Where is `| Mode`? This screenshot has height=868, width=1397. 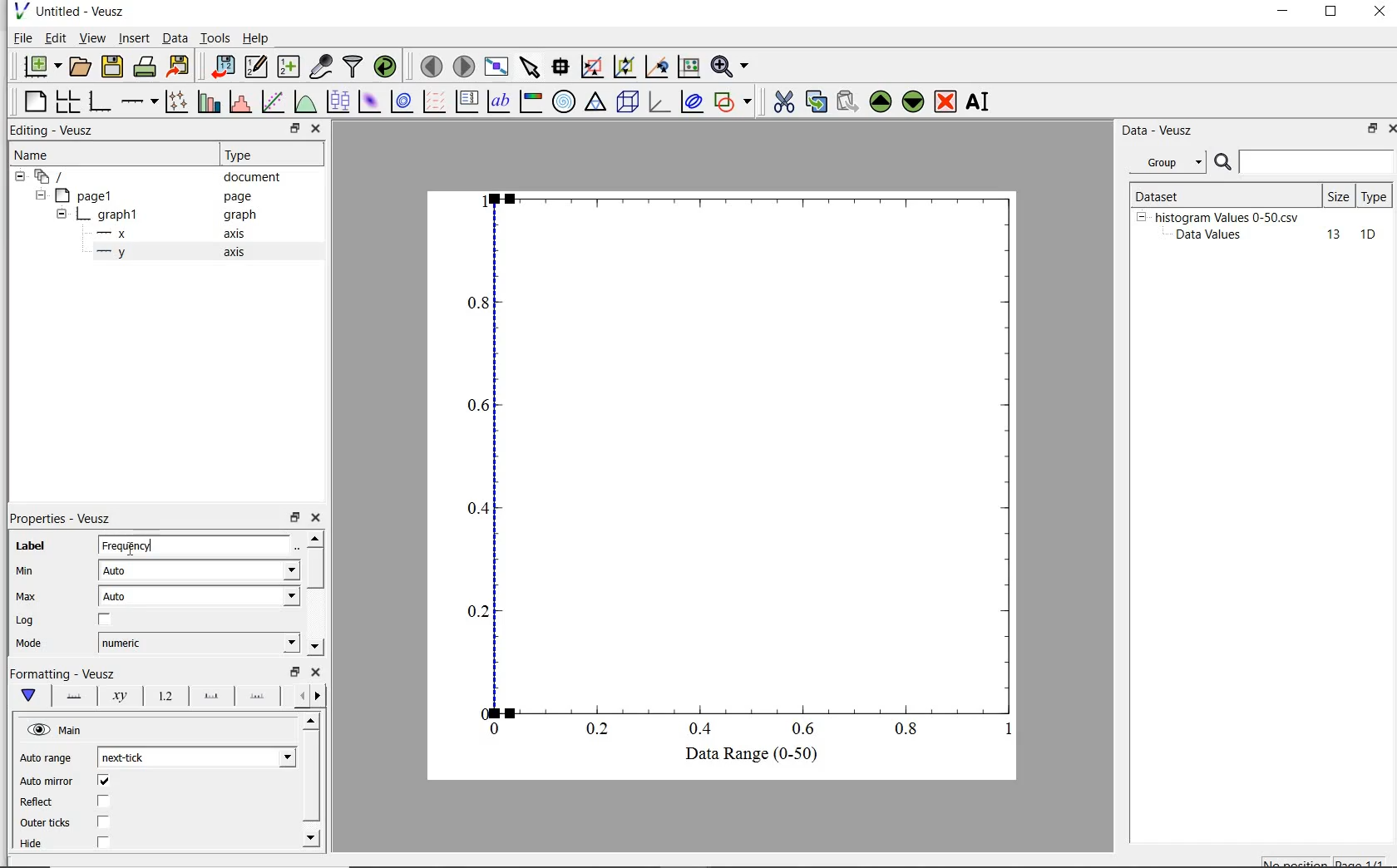
| Mode is located at coordinates (29, 645).